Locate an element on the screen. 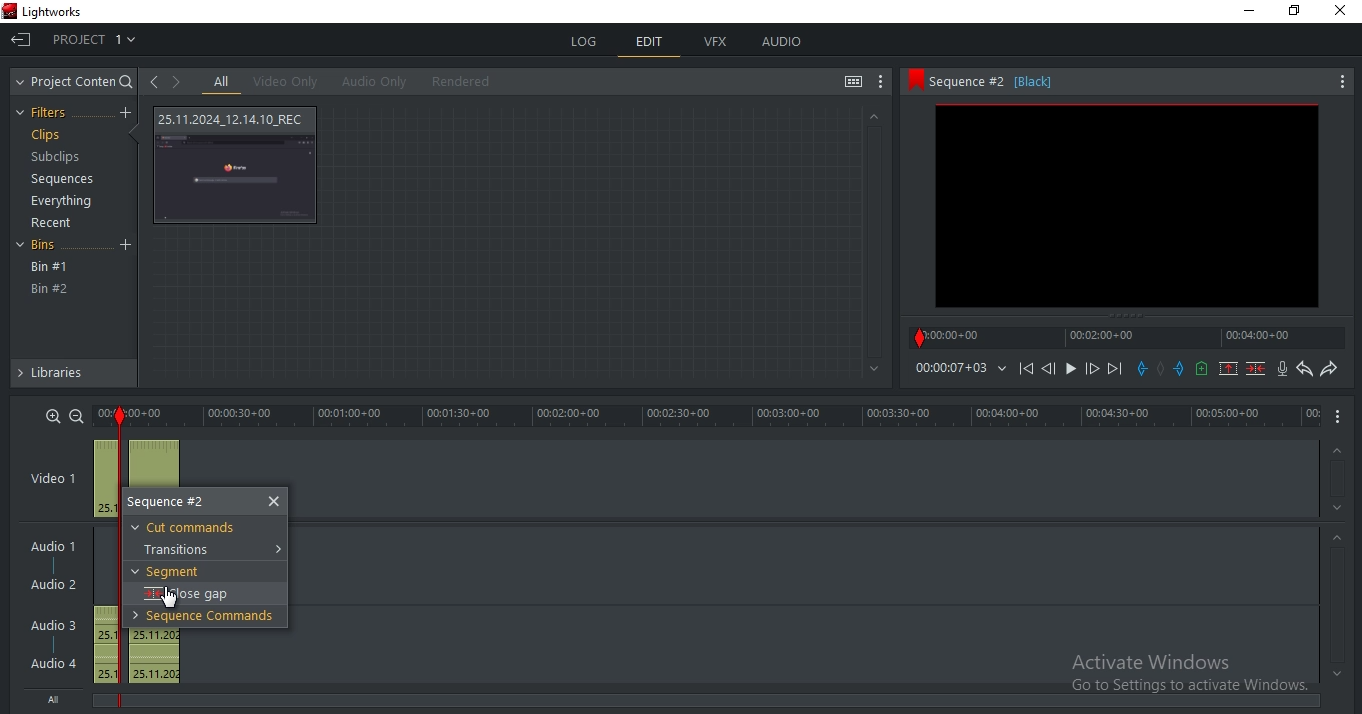 Image resolution: width=1362 pixels, height=714 pixels. Mouse Pointer is located at coordinates (170, 598).